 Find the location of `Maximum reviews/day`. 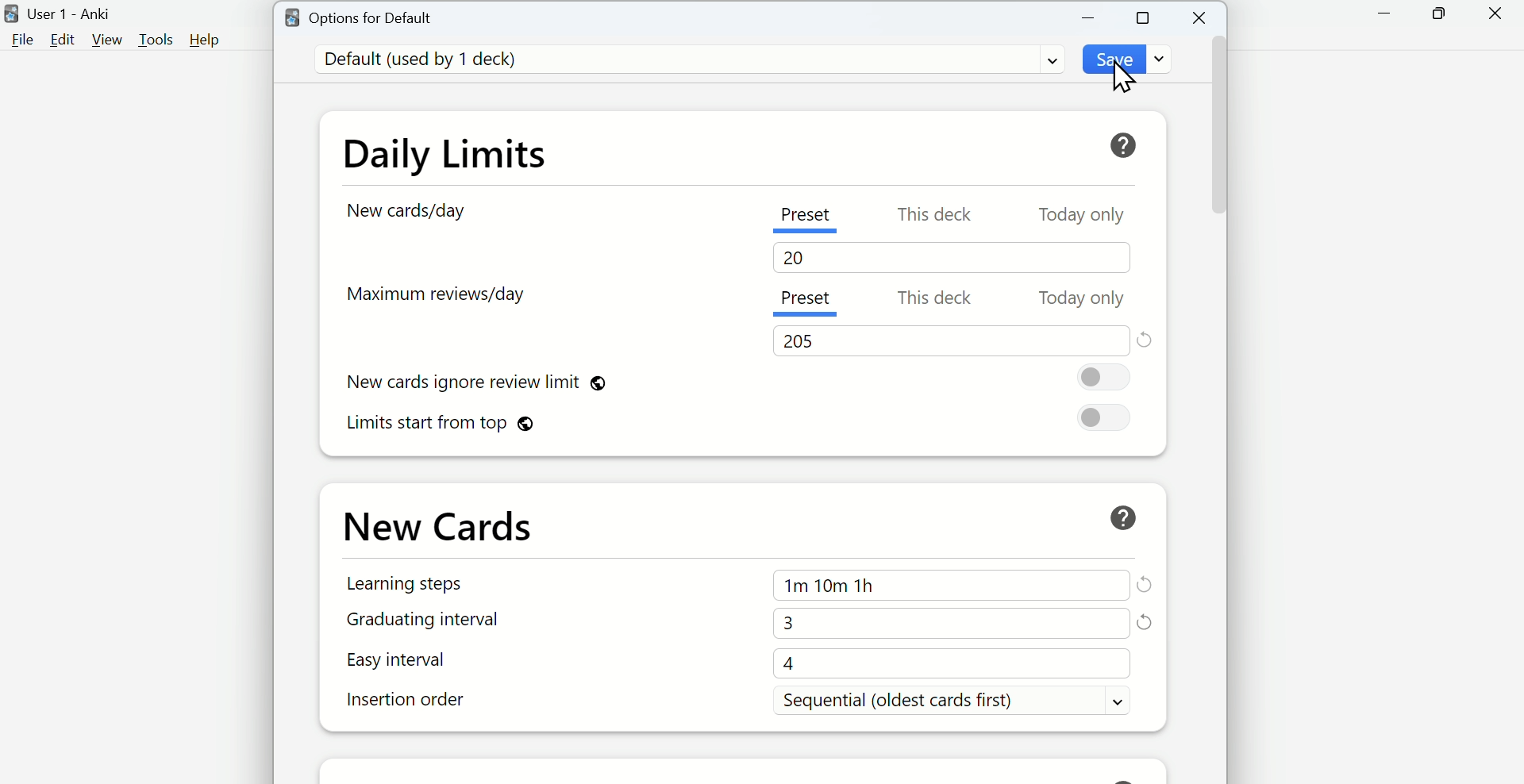

Maximum reviews/day is located at coordinates (445, 300).